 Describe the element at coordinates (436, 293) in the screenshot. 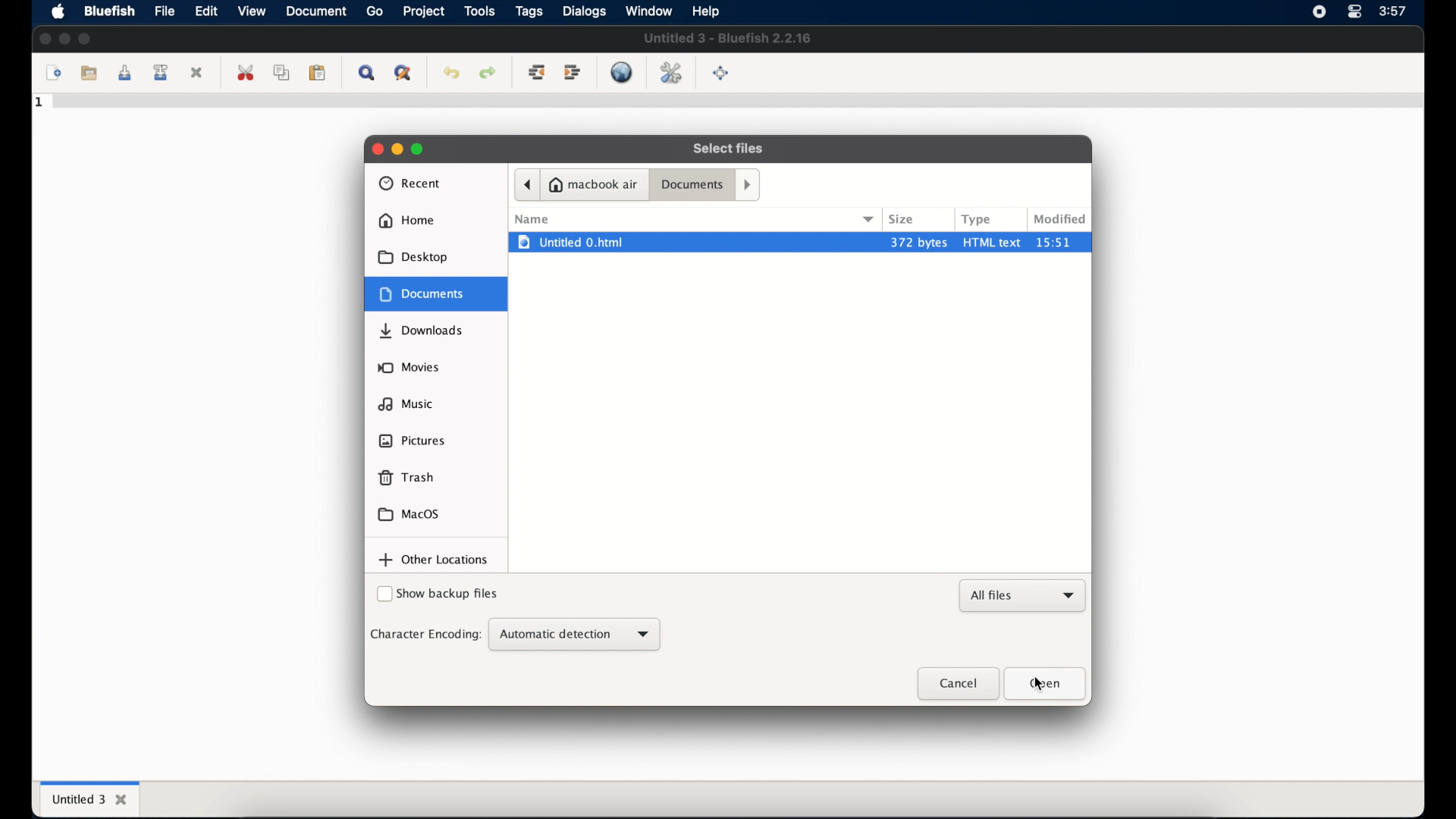

I see `documents  highlighted` at that location.